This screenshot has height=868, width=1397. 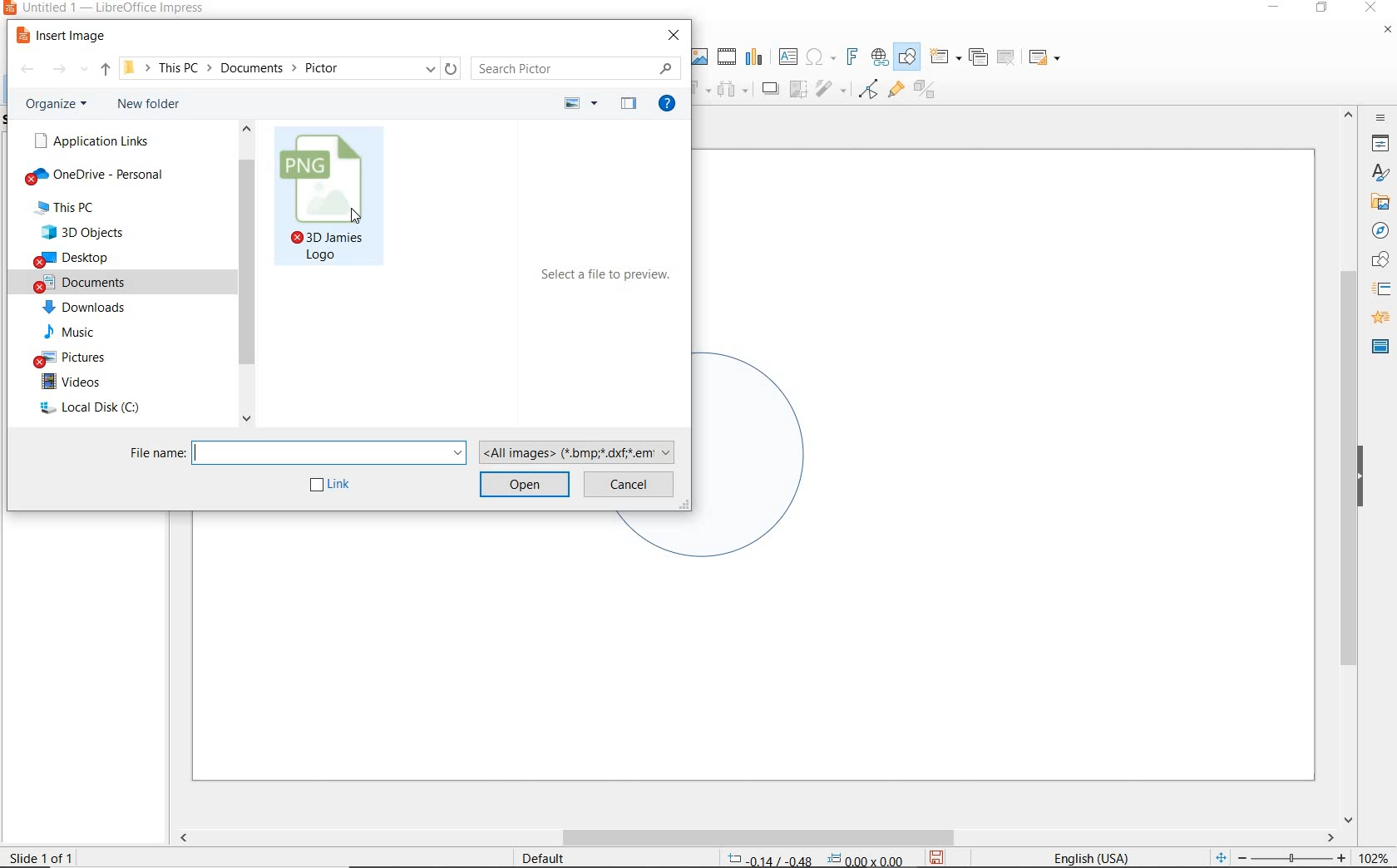 What do you see at coordinates (698, 57) in the screenshot?
I see `insert image` at bounding box center [698, 57].